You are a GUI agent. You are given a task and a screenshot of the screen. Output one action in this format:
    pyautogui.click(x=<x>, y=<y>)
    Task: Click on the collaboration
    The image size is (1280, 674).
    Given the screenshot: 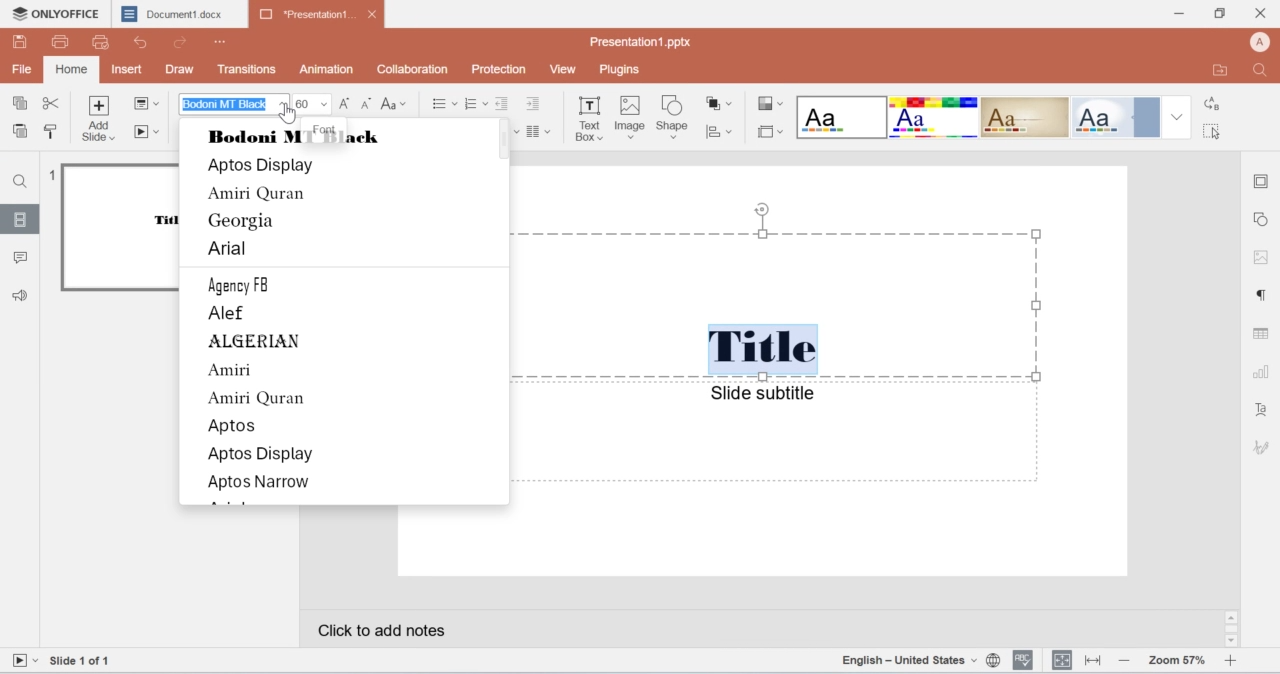 What is the action you would take?
    pyautogui.click(x=410, y=69)
    